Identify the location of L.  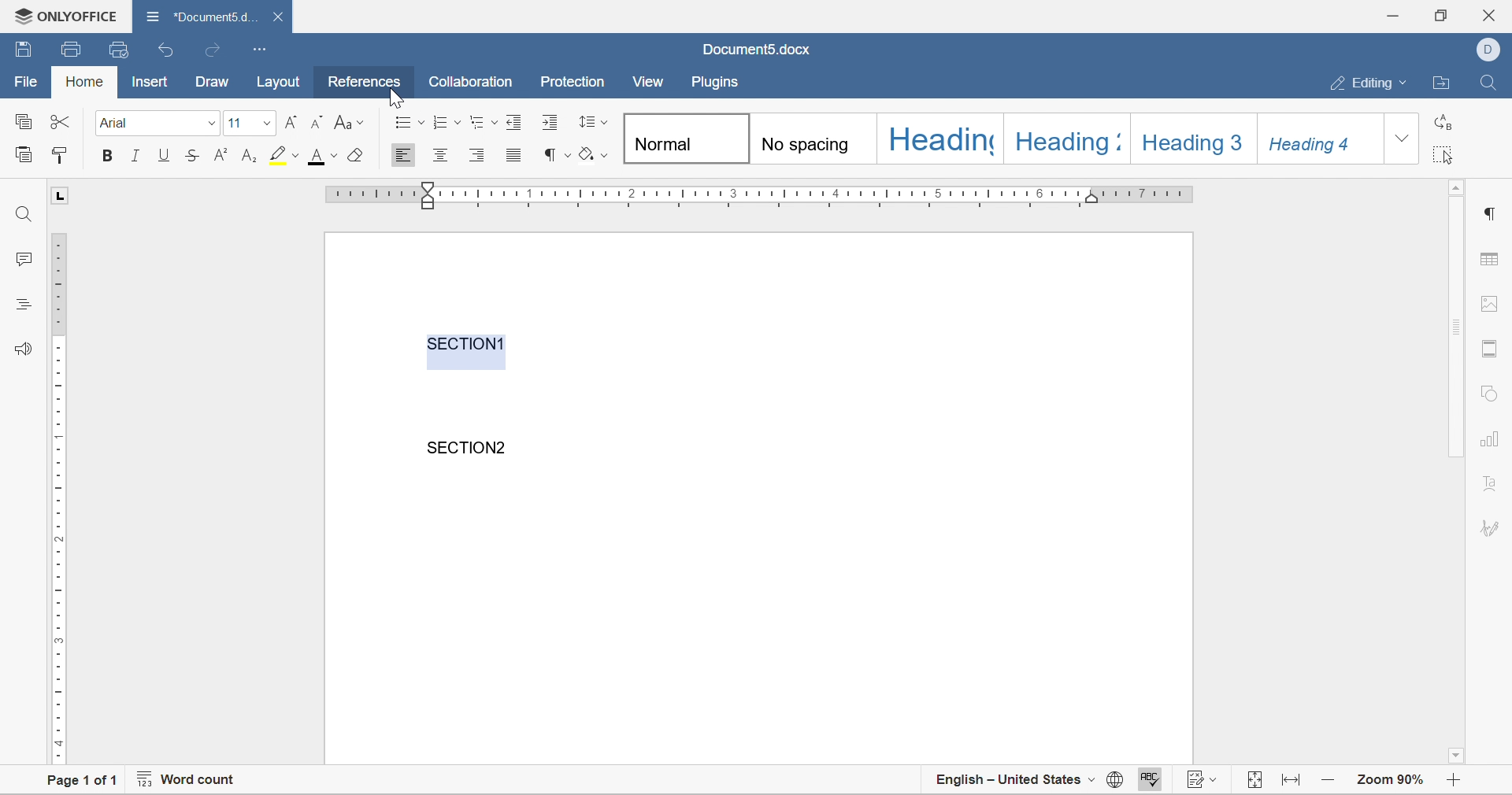
(61, 195).